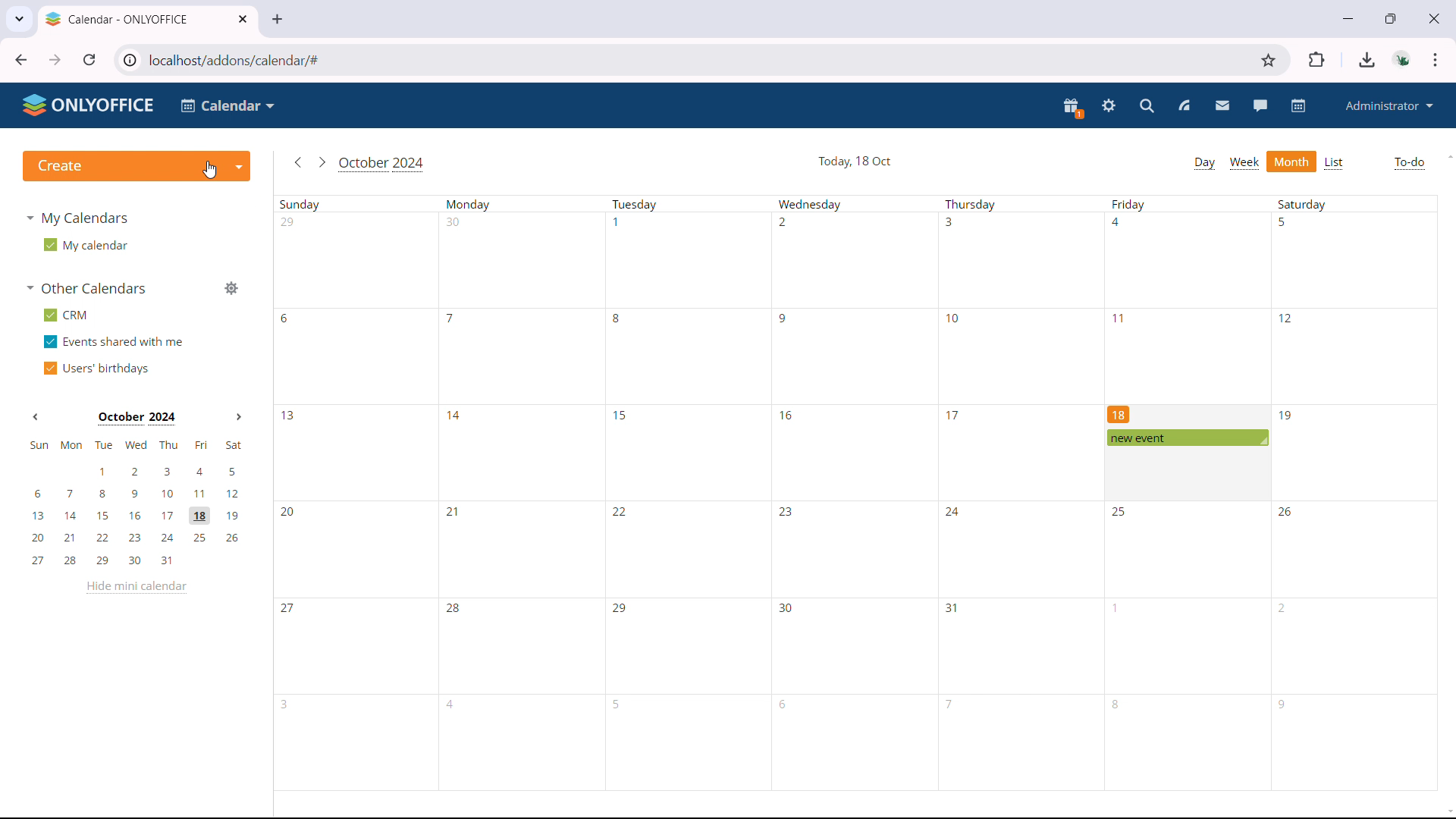  I want to click on 7, so click(950, 703).